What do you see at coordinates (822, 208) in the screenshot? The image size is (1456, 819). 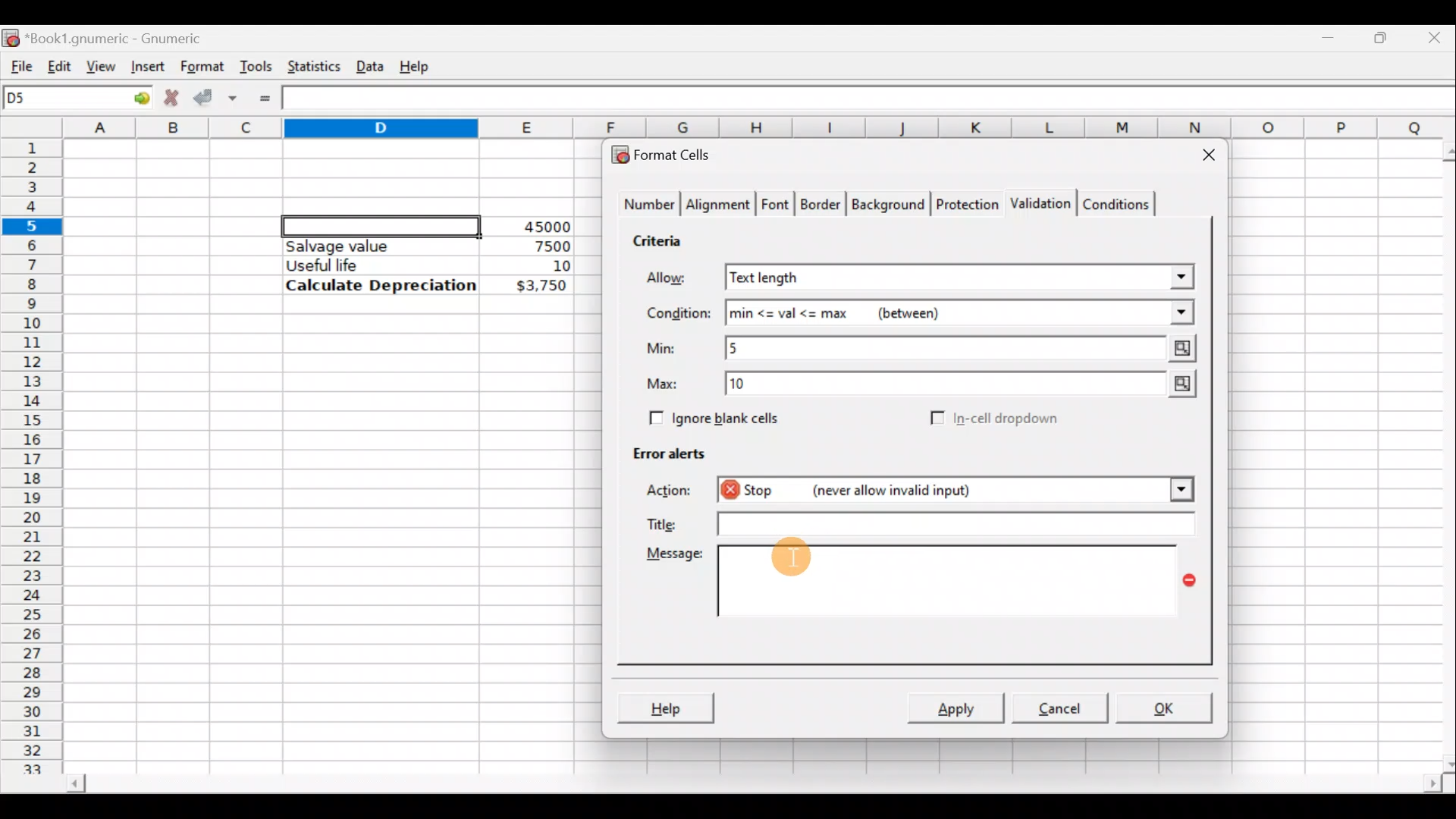 I see `Border` at bounding box center [822, 208].